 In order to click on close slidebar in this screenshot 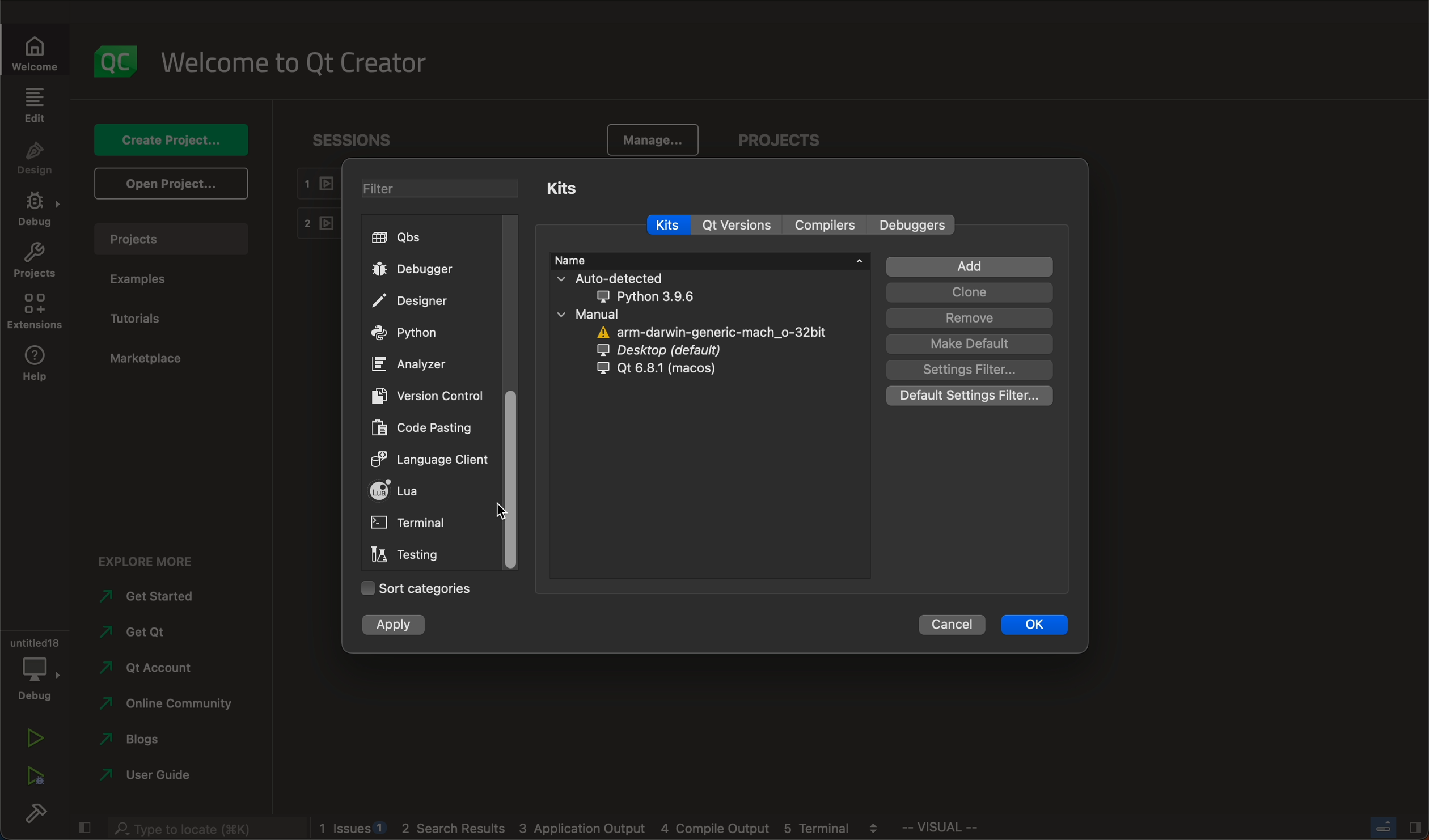, I will do `click(1390, 829)`.